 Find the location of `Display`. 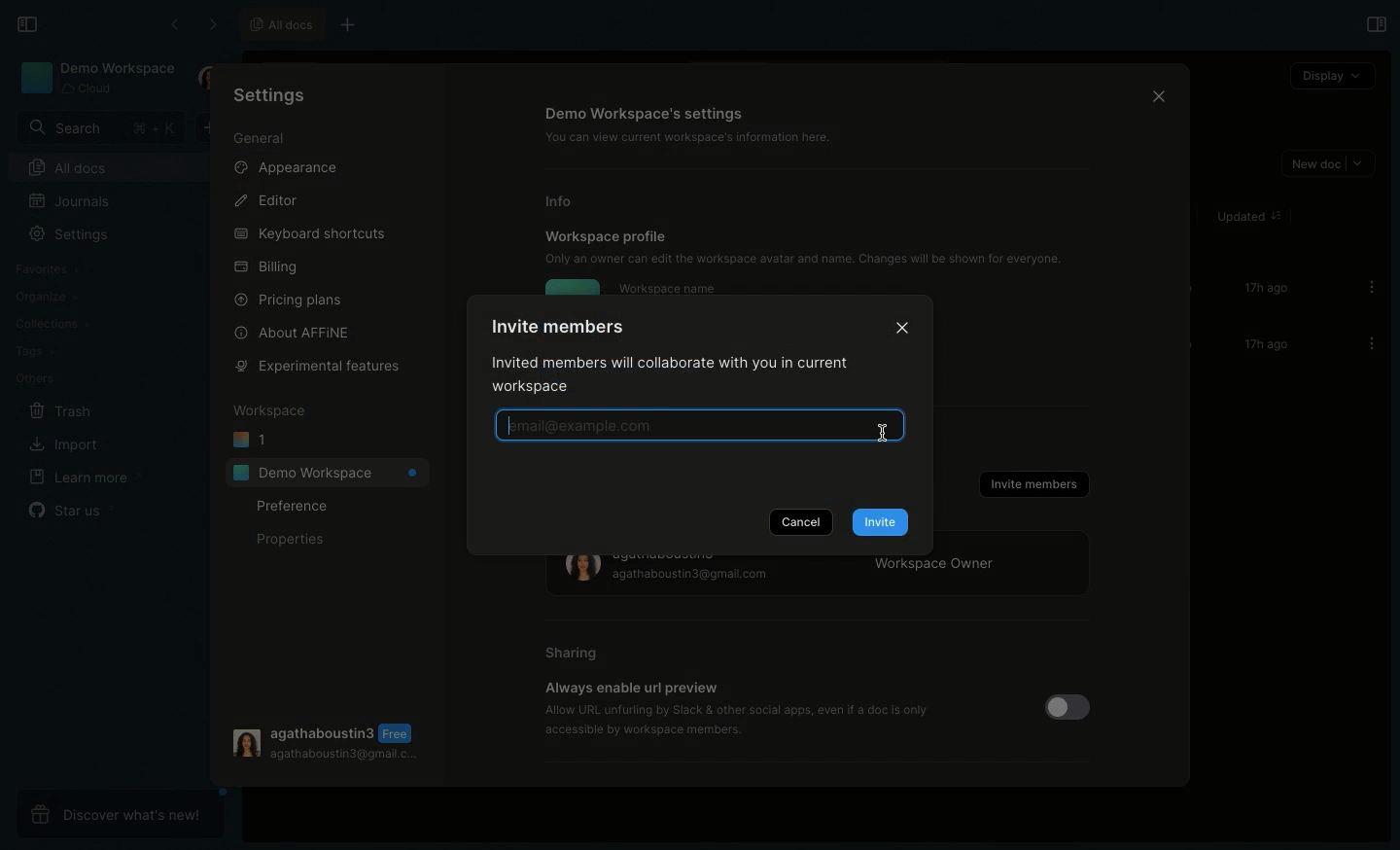

Display is located at coordinates (1331, 75).